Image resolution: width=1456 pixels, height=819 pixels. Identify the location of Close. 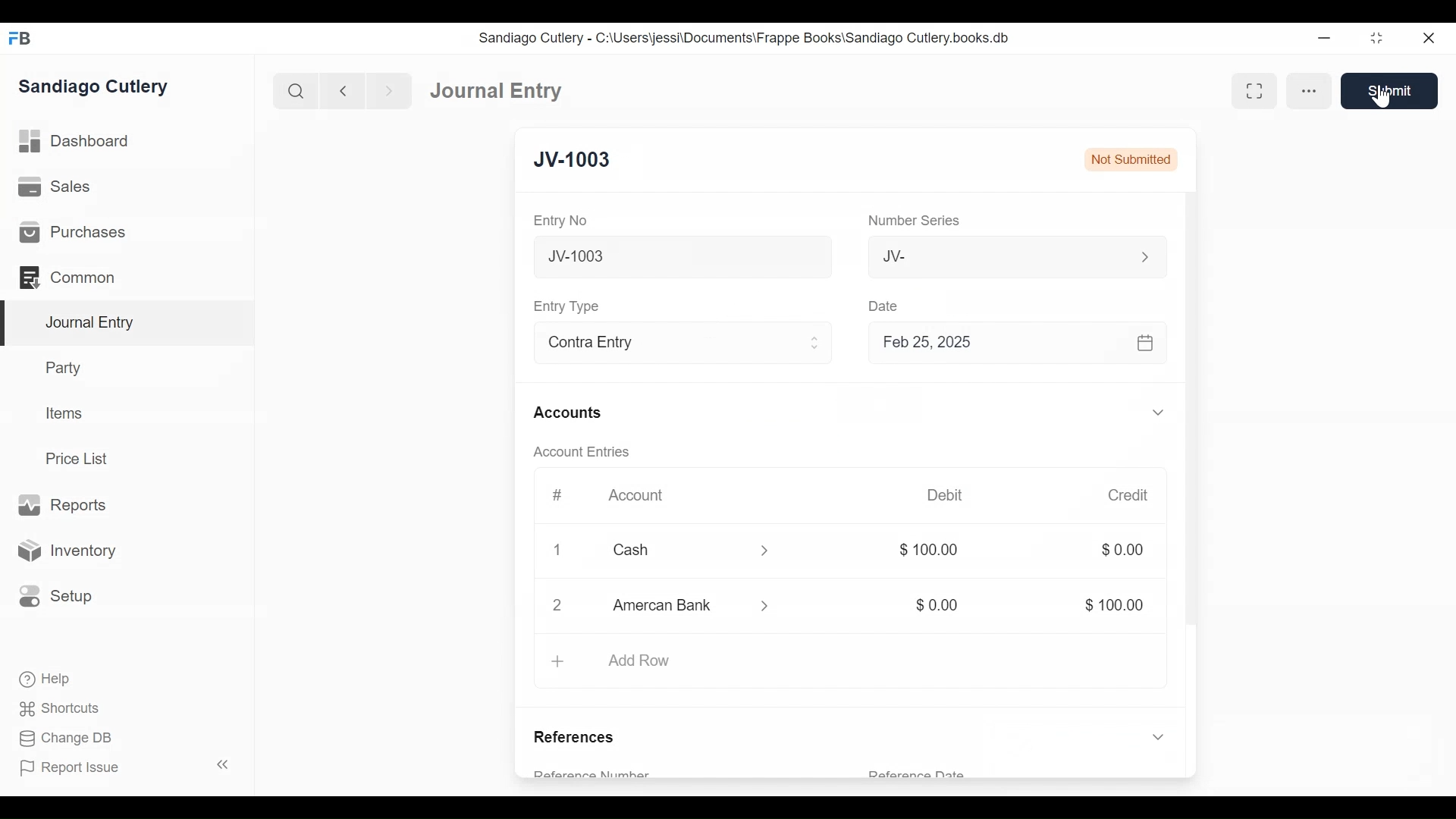
(558, 551).